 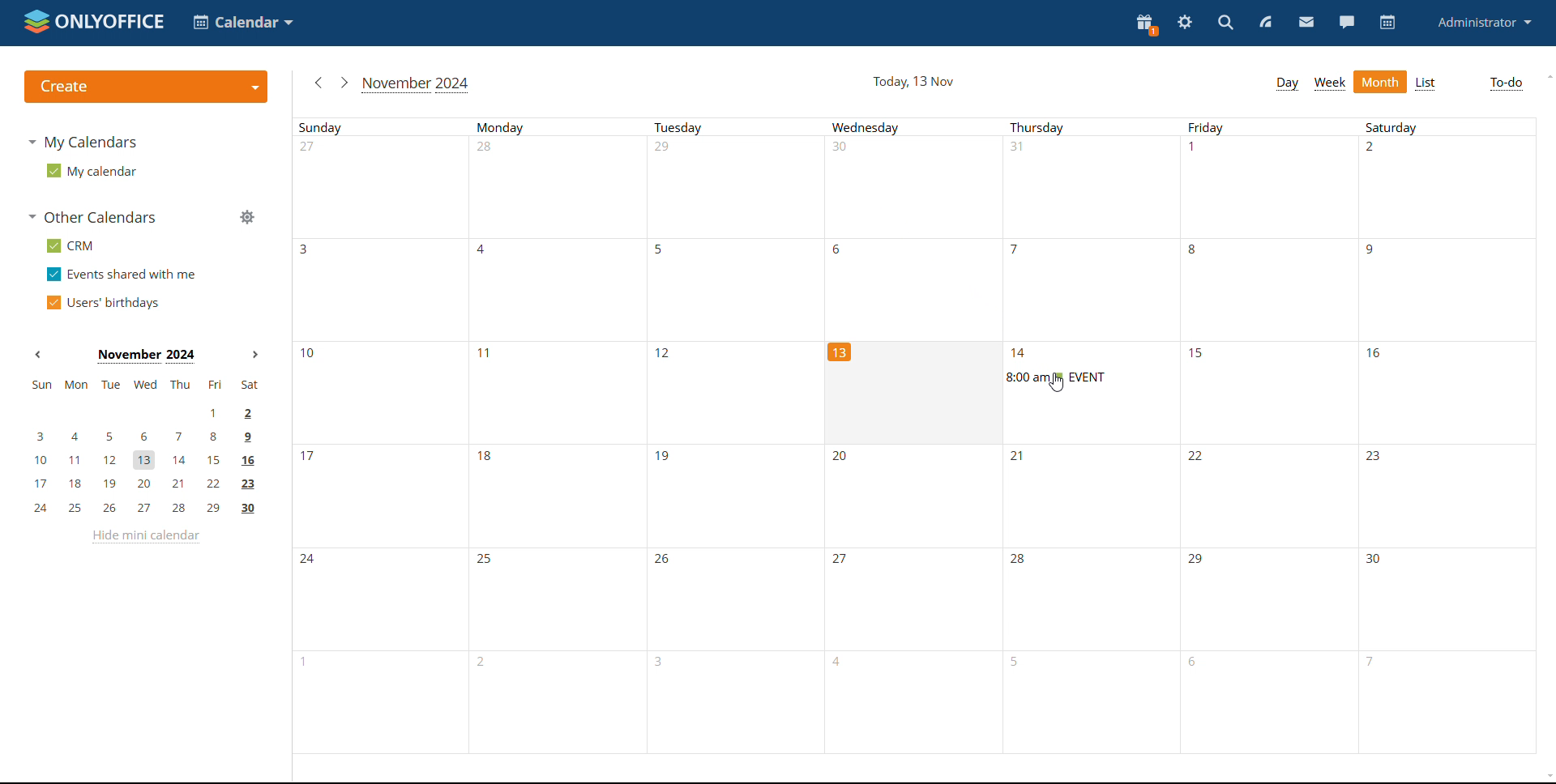 What do you see at coordinates (123, 275) in the screenshot?
I see `events shared with me` at bounding box center [123, 275].